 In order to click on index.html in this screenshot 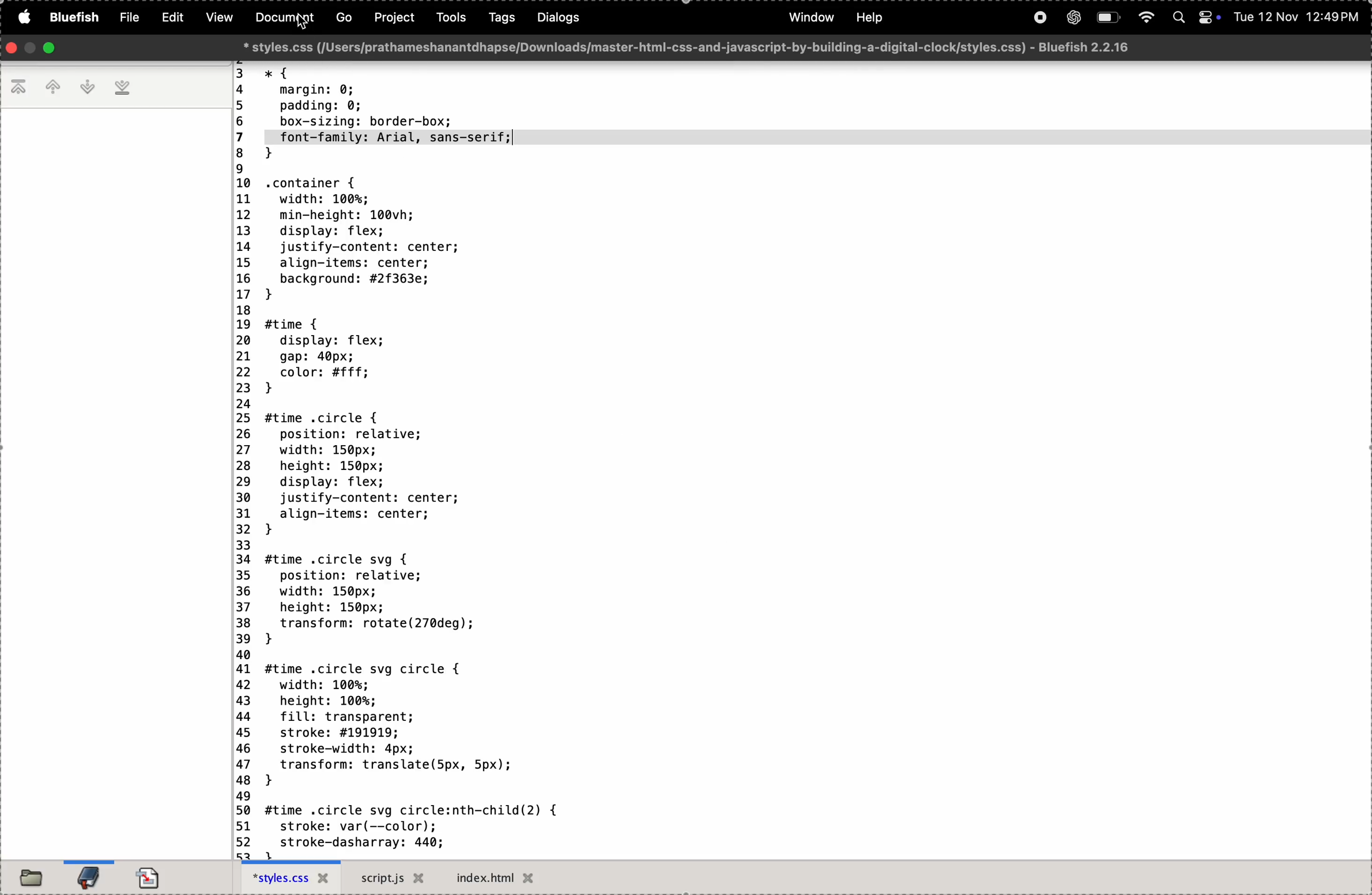, I will do `click(499, 877)`.